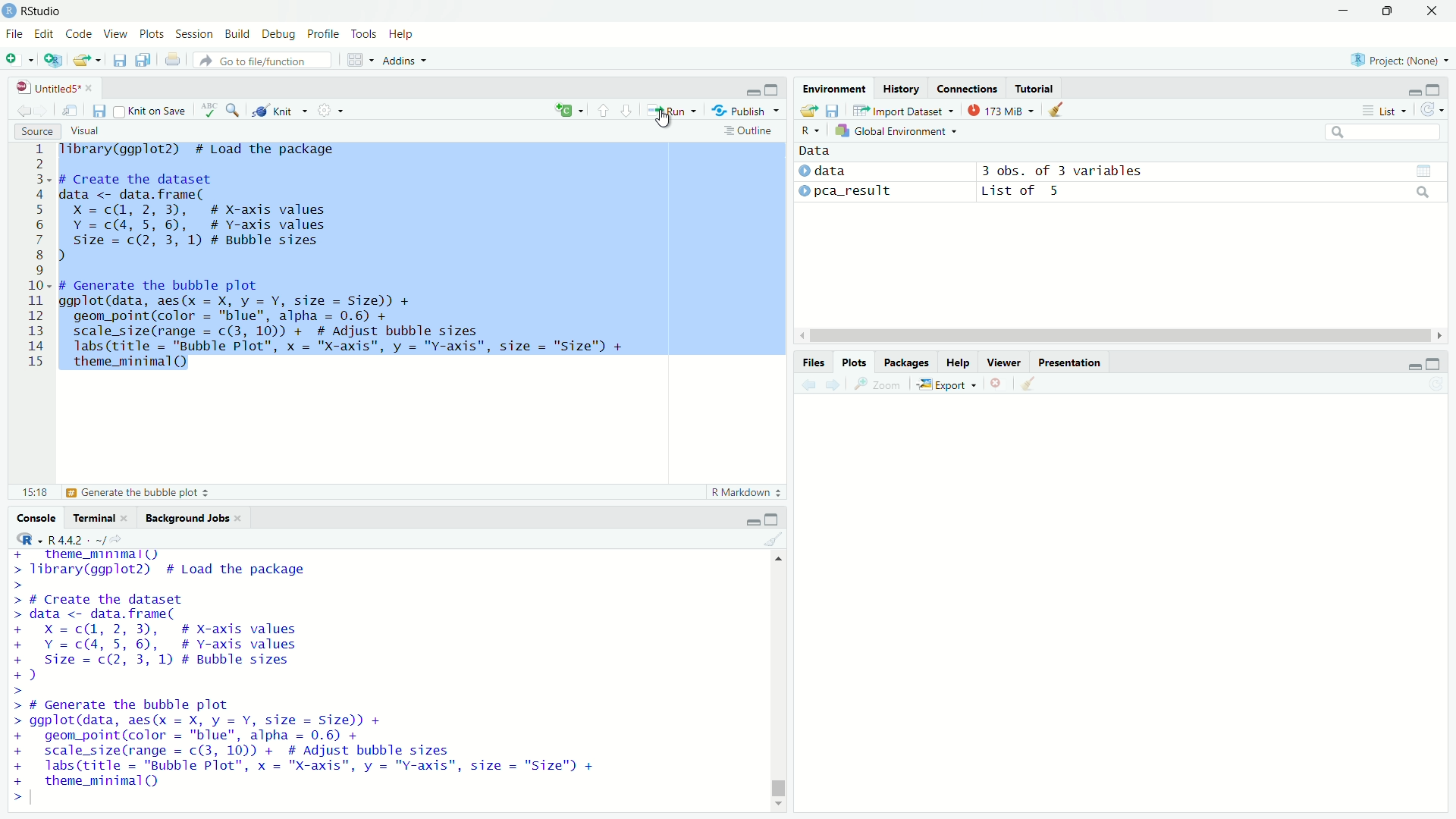 The height and width of the screenshot is (819, 1456). I want to click on go to next section, so click(628, 108).